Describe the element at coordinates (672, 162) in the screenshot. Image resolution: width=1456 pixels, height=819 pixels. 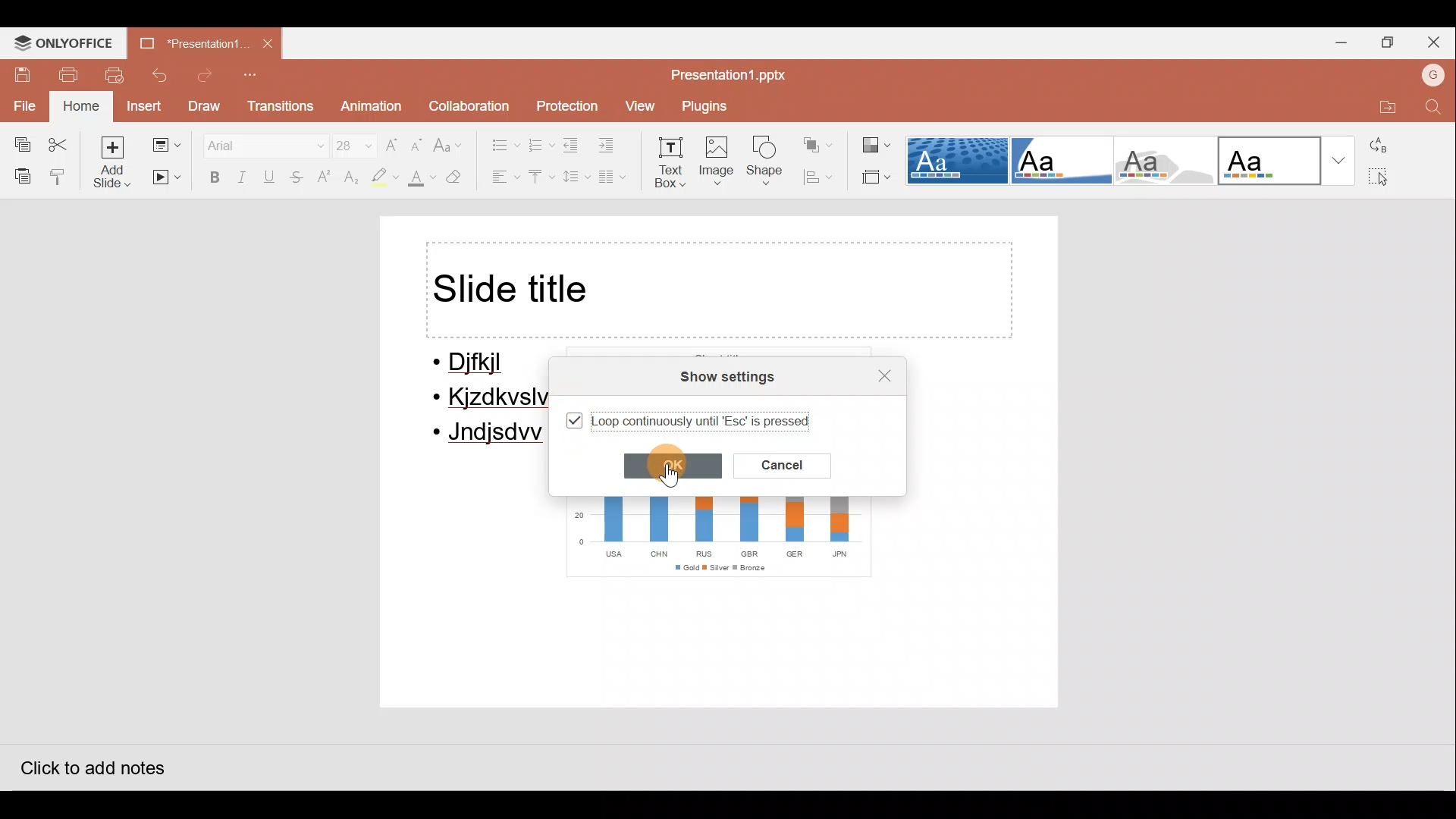
I see `Text box` at that location.